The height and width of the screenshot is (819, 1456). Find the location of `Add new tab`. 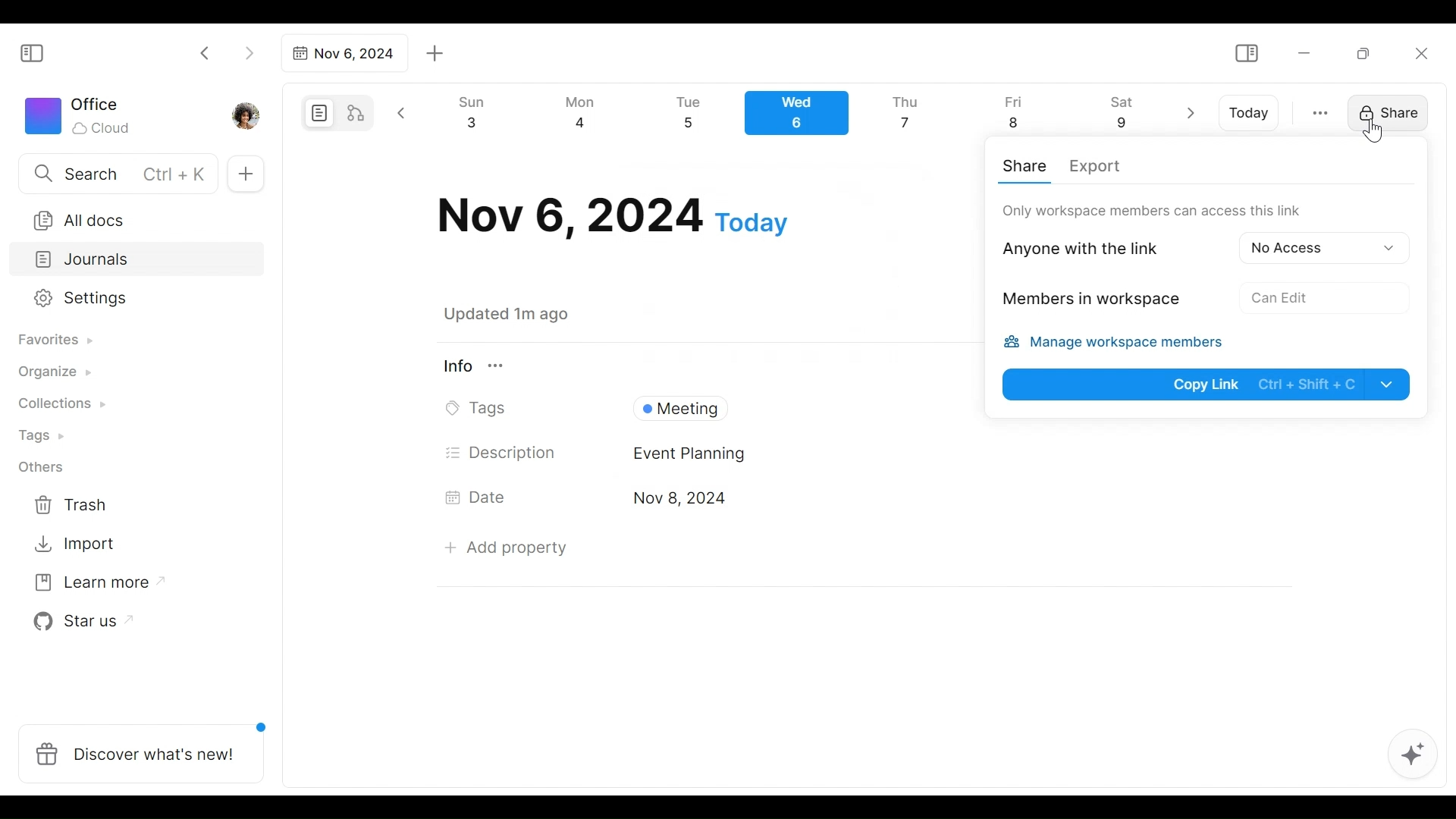

Add new tab is located at coordinates (435, 54).